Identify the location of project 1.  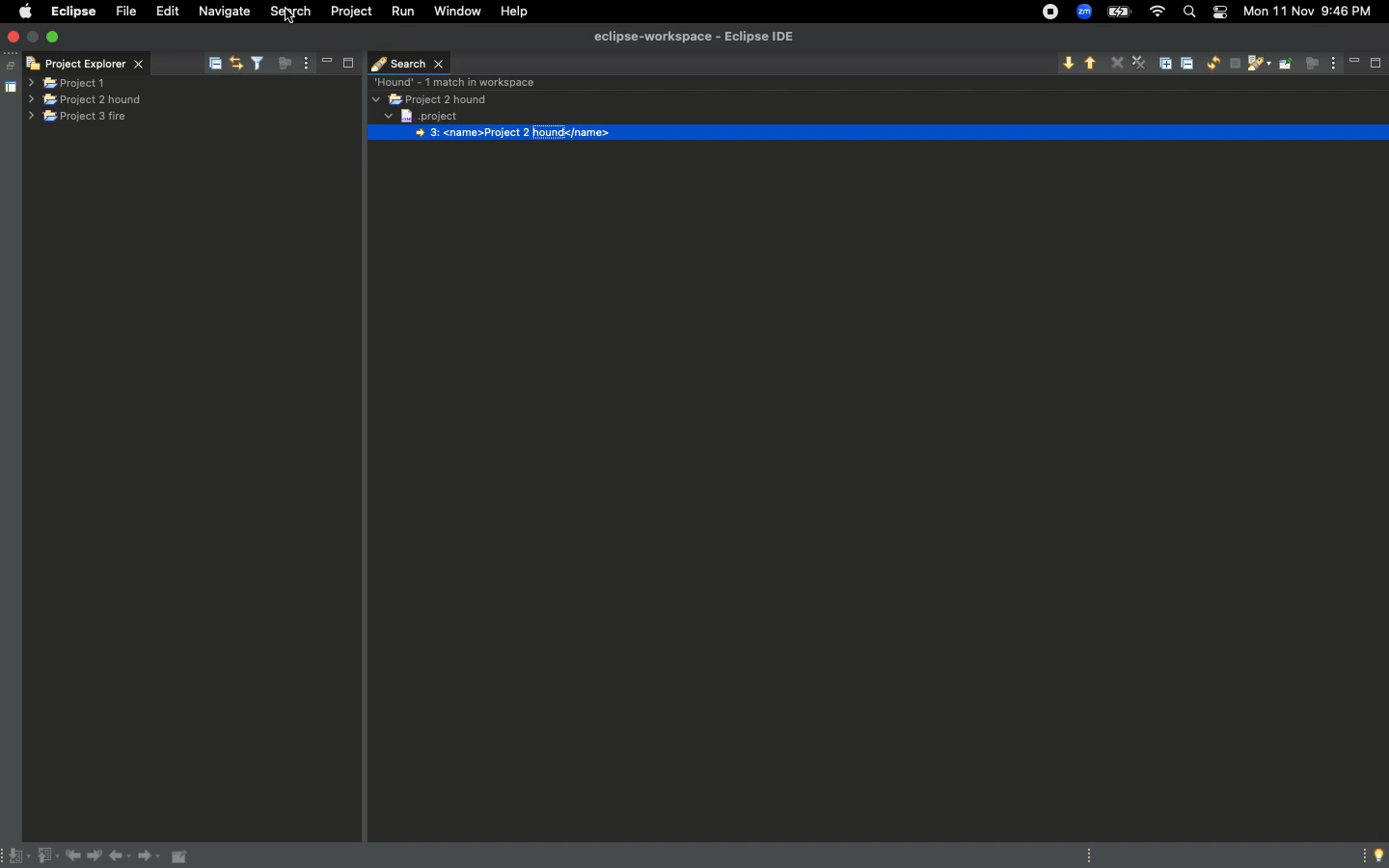
(81, 81).